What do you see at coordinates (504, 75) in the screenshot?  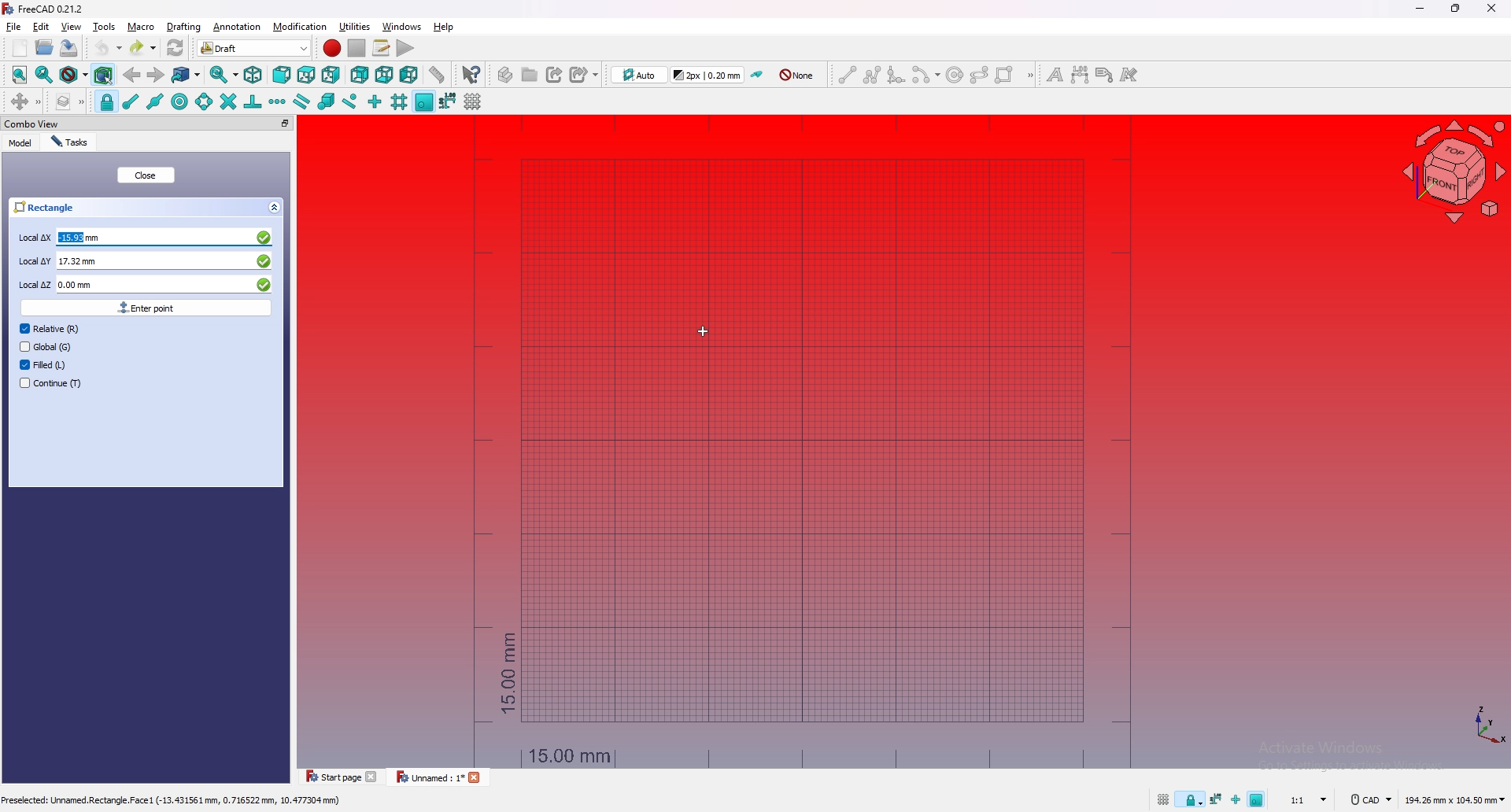 I see `create part` at bounding box center [504, 75].